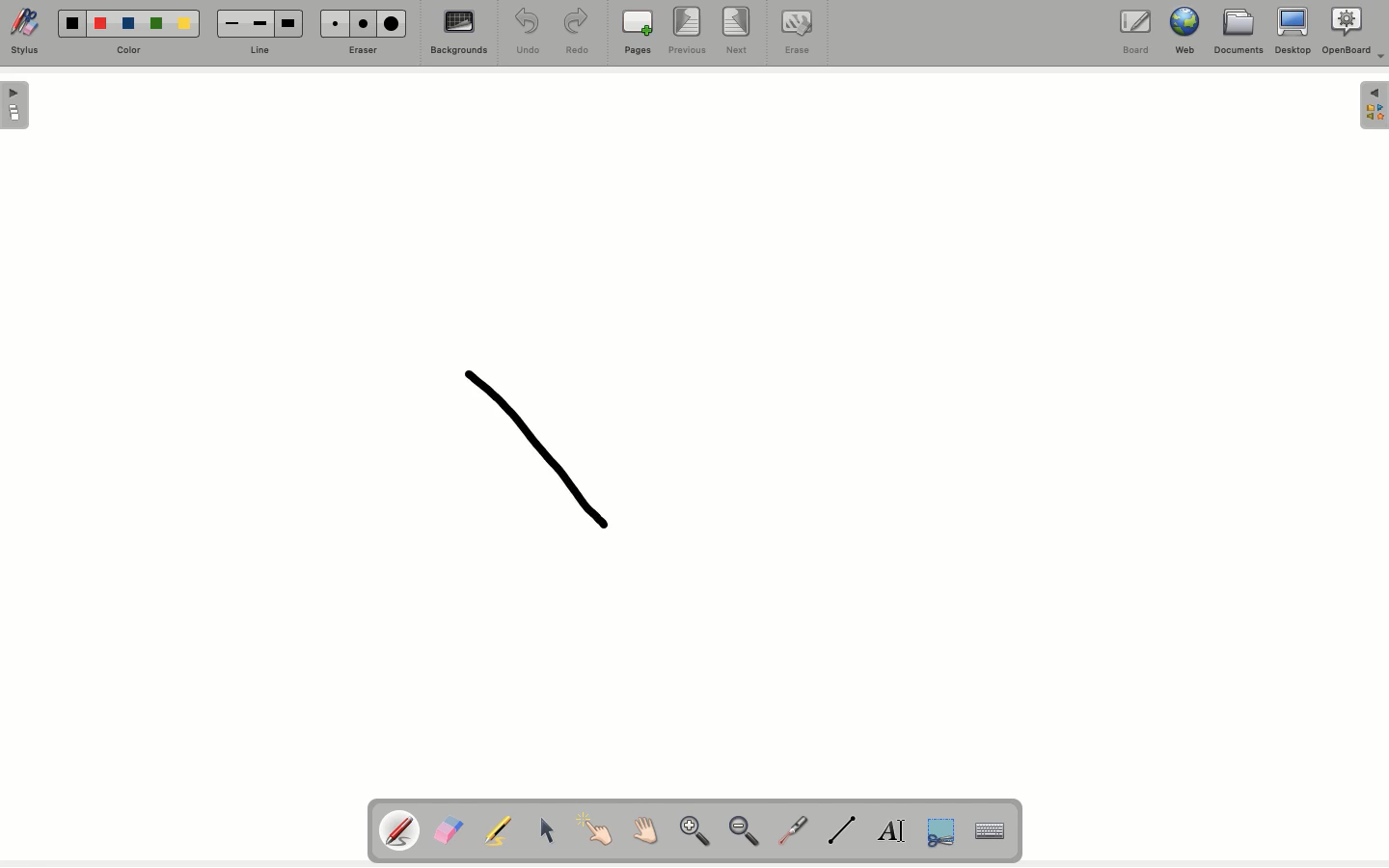 The image size is (1389, 868). What do you see at coordinates (265, 49) in the screenshot?
I see `Line` at bounding box center [265, 49].